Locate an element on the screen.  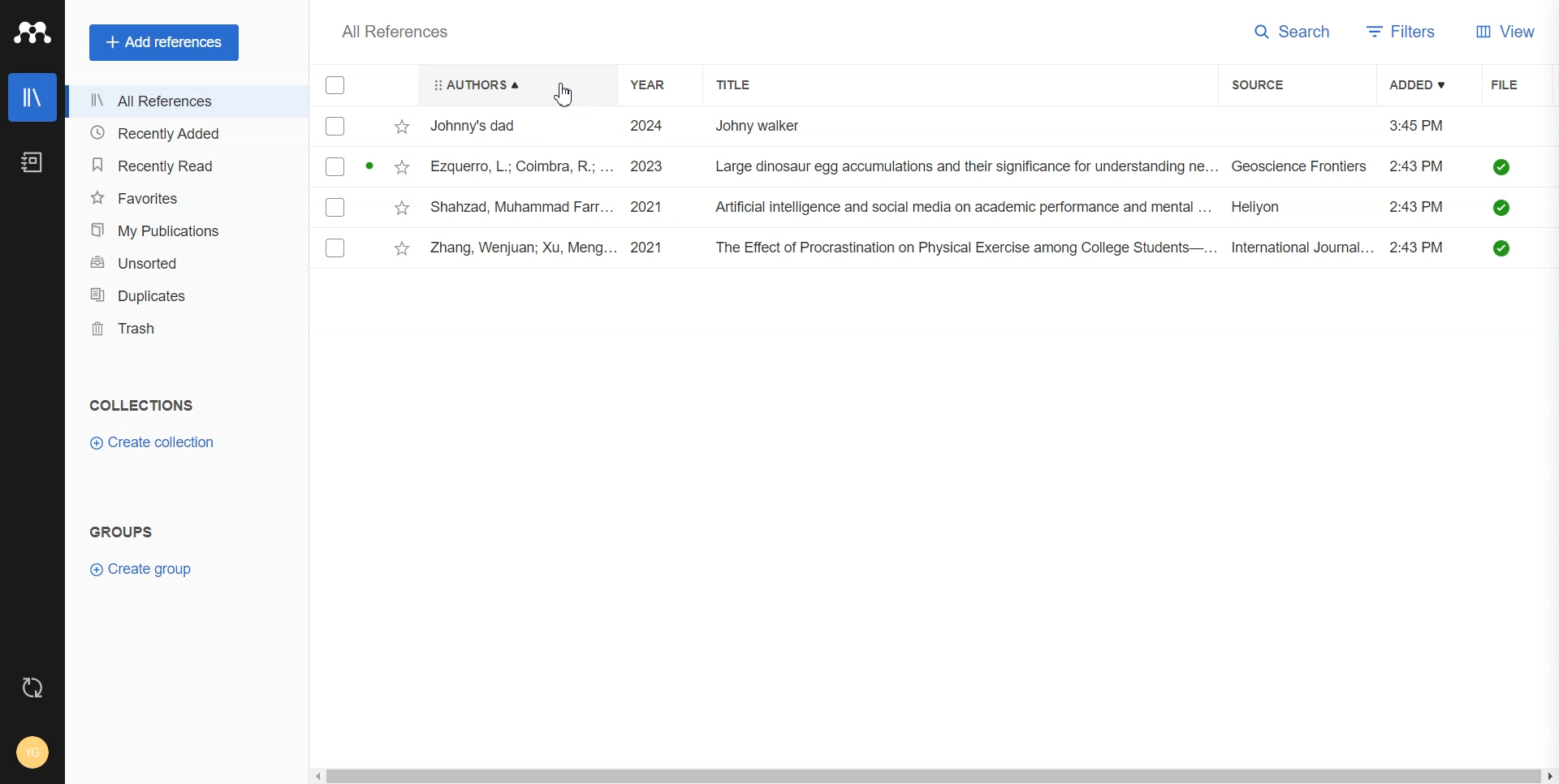
The Effect of Procrastination on Physical Exercise among College Students is located at coordinates (962, 248).